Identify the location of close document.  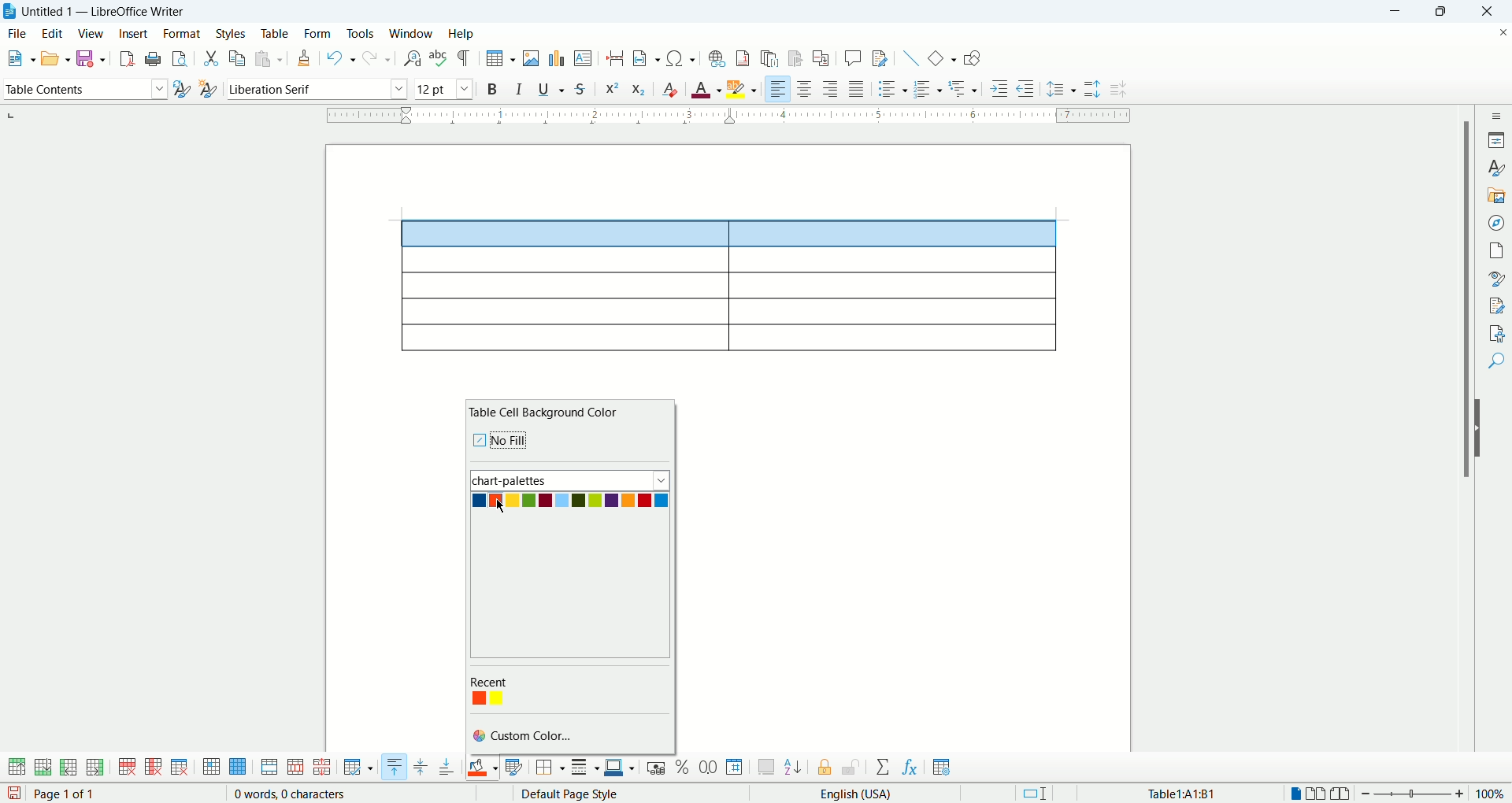
(1503, 33).